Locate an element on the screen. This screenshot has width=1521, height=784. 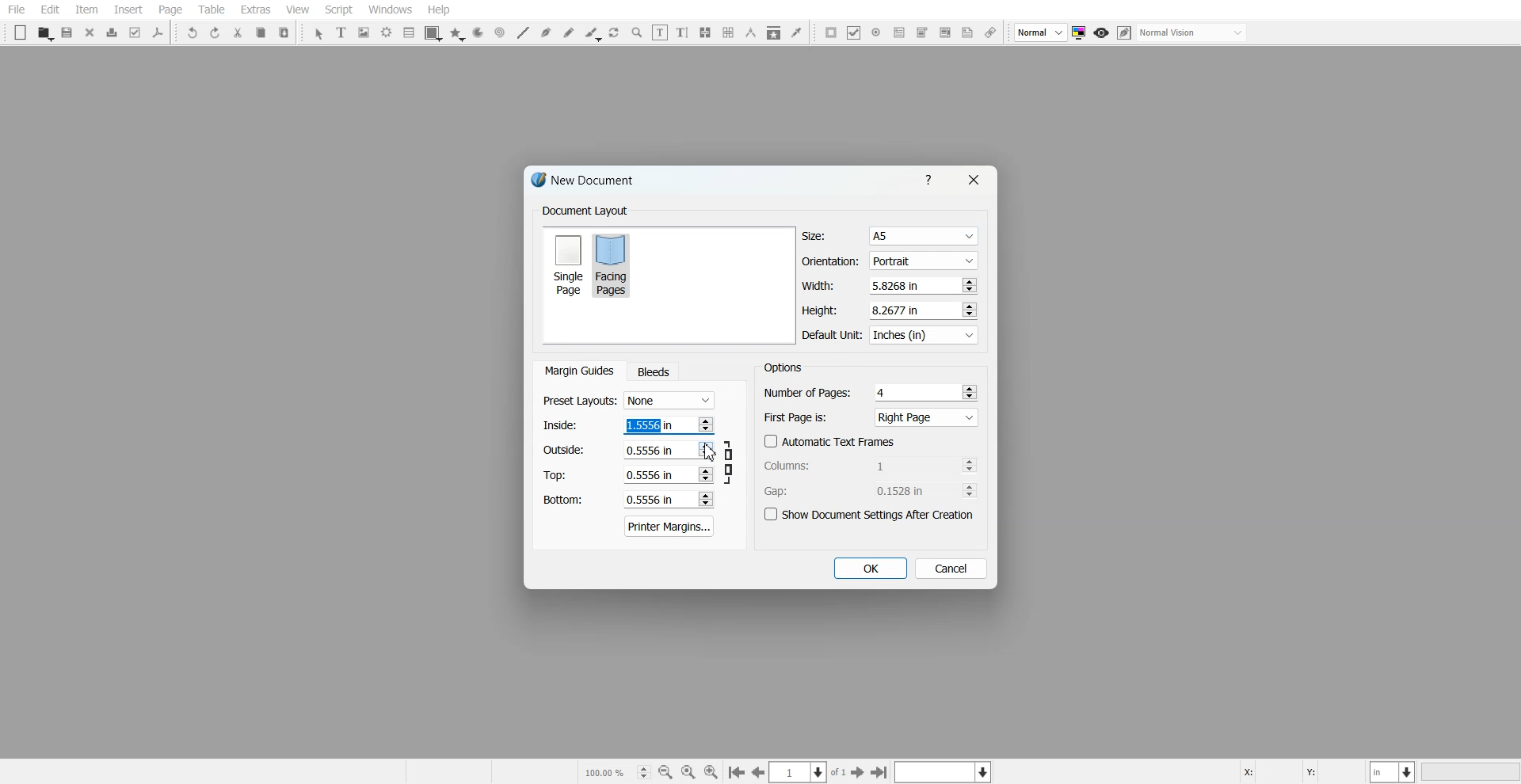
4 is located at coordinates (883, 392).